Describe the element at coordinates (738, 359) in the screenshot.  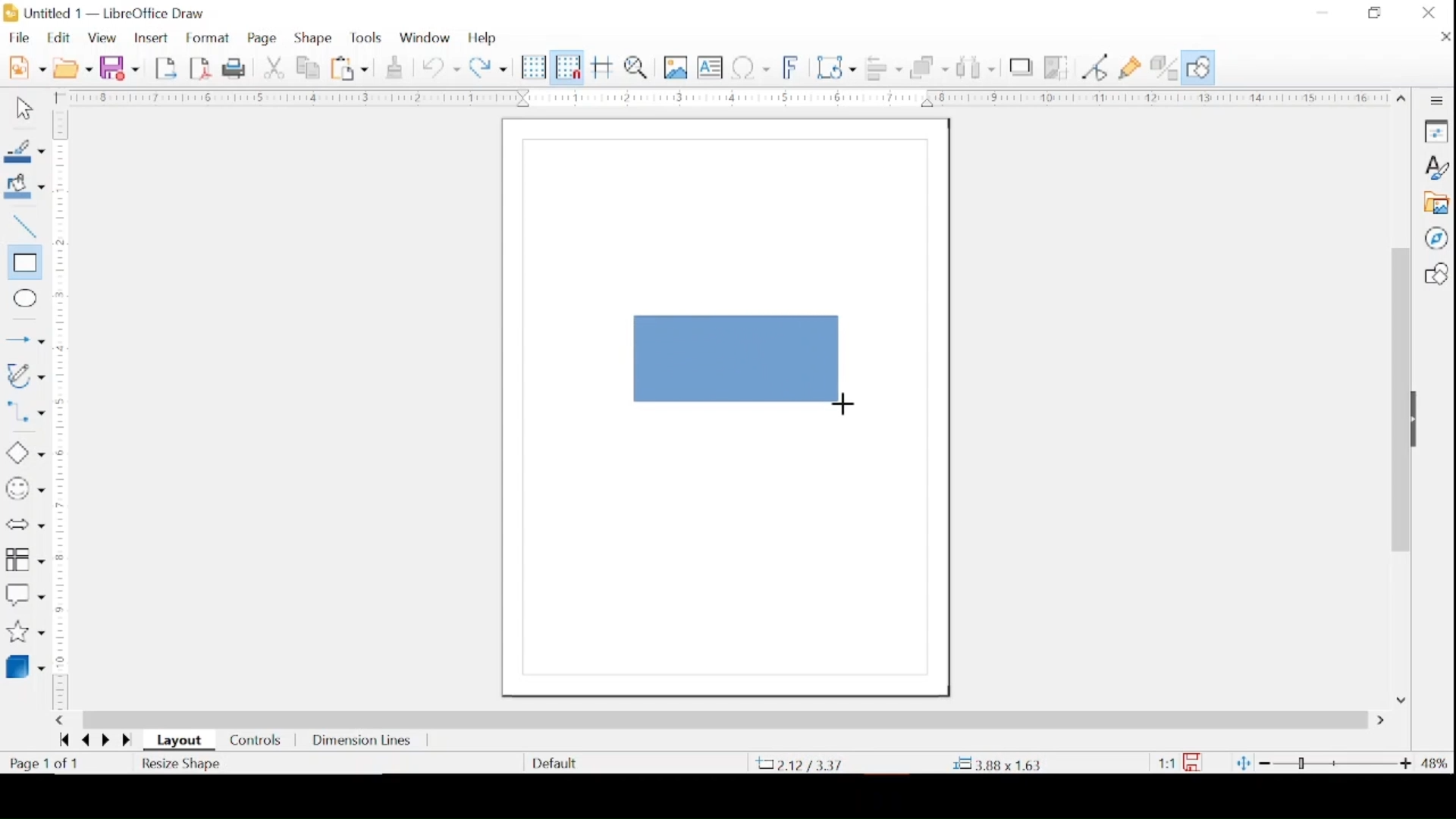
I see `rectangle` at that location.